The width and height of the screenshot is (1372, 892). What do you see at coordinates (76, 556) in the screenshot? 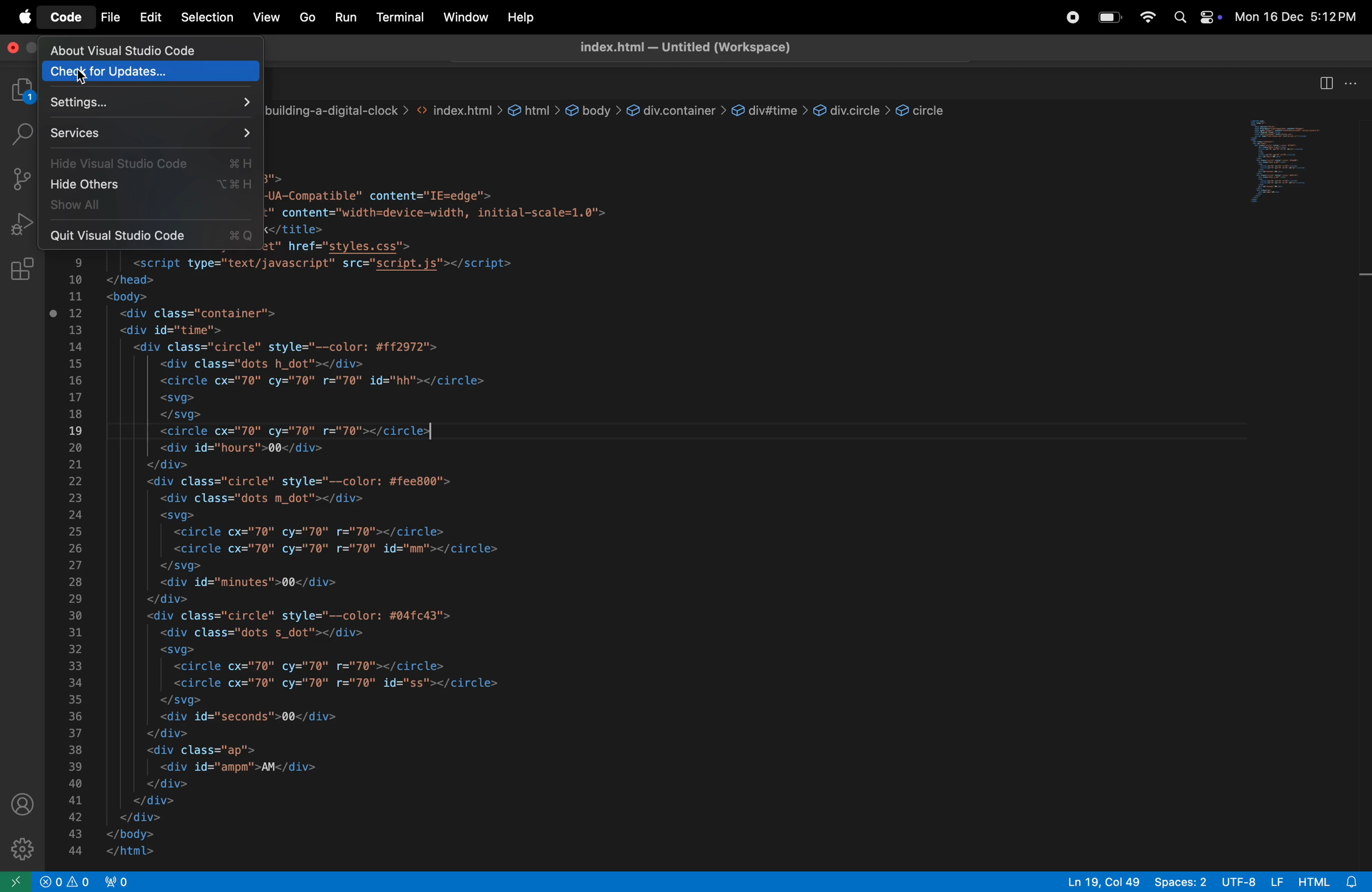
I see `numbers` at bounding box center [76, 556].